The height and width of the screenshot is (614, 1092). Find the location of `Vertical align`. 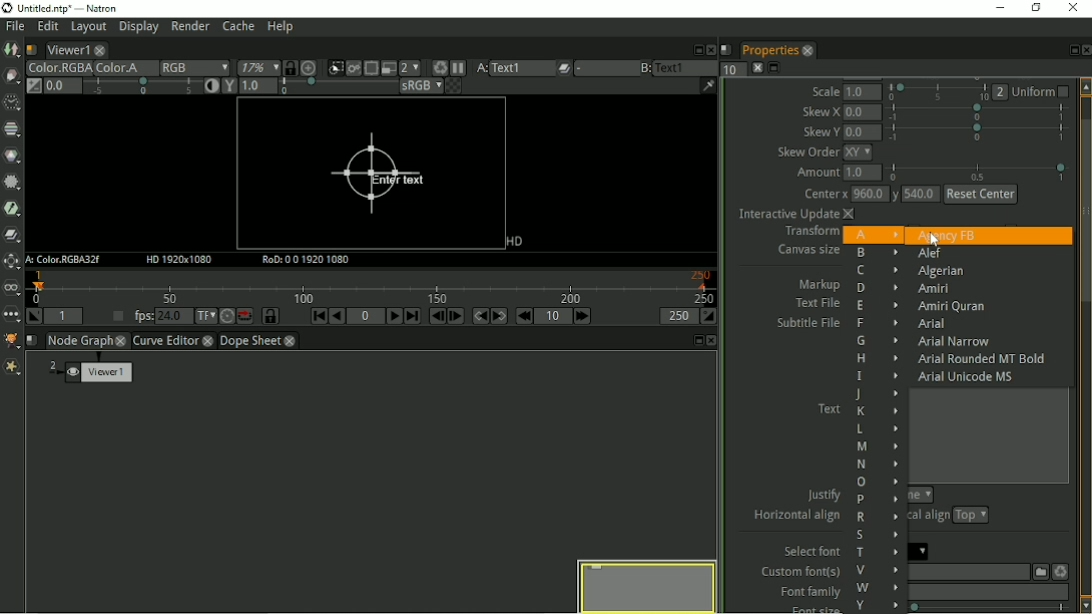

Vertical align is located at coordinates (931, 517).